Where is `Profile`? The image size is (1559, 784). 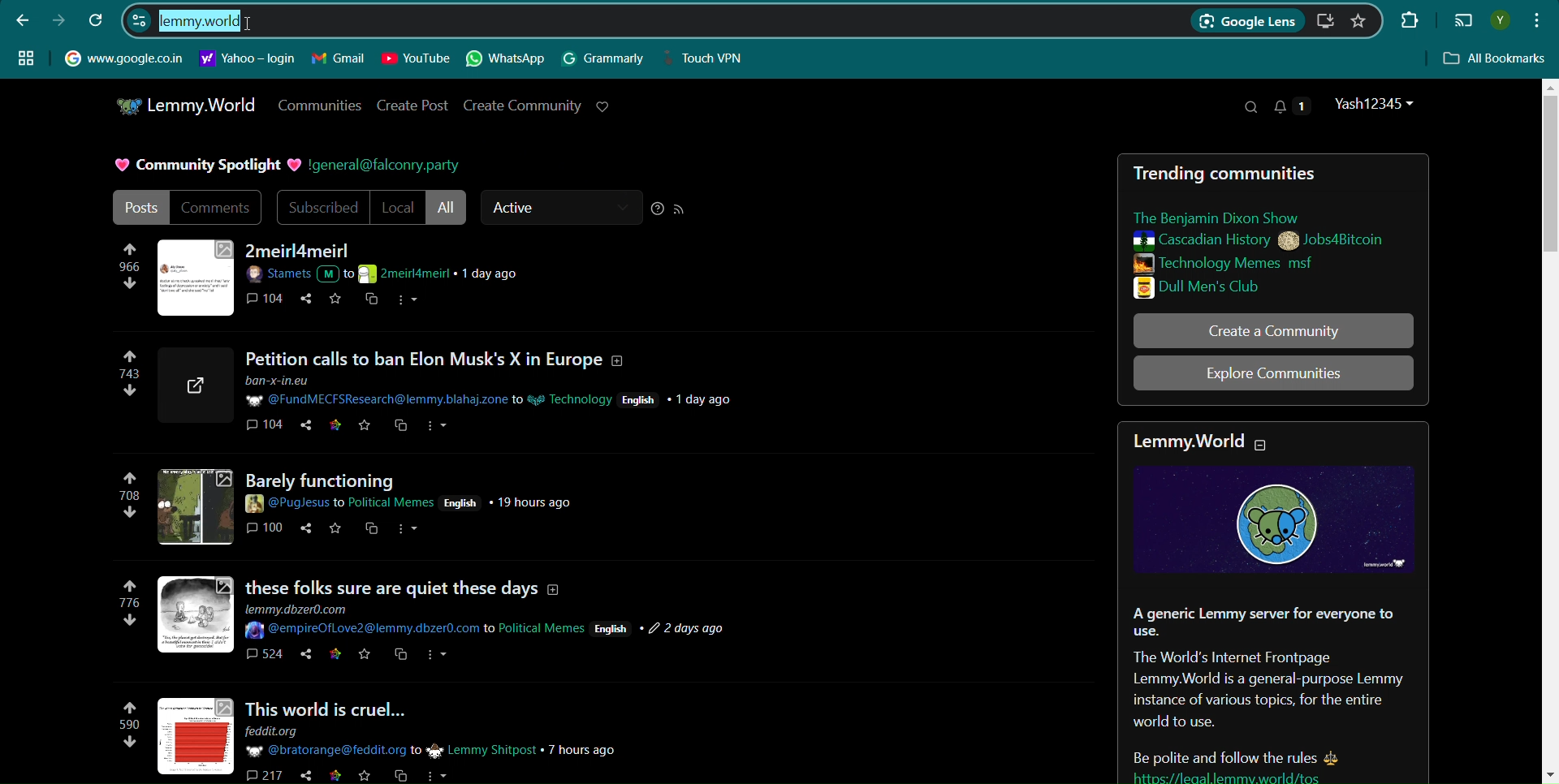 Profile is located at coordinates (1377, 104).